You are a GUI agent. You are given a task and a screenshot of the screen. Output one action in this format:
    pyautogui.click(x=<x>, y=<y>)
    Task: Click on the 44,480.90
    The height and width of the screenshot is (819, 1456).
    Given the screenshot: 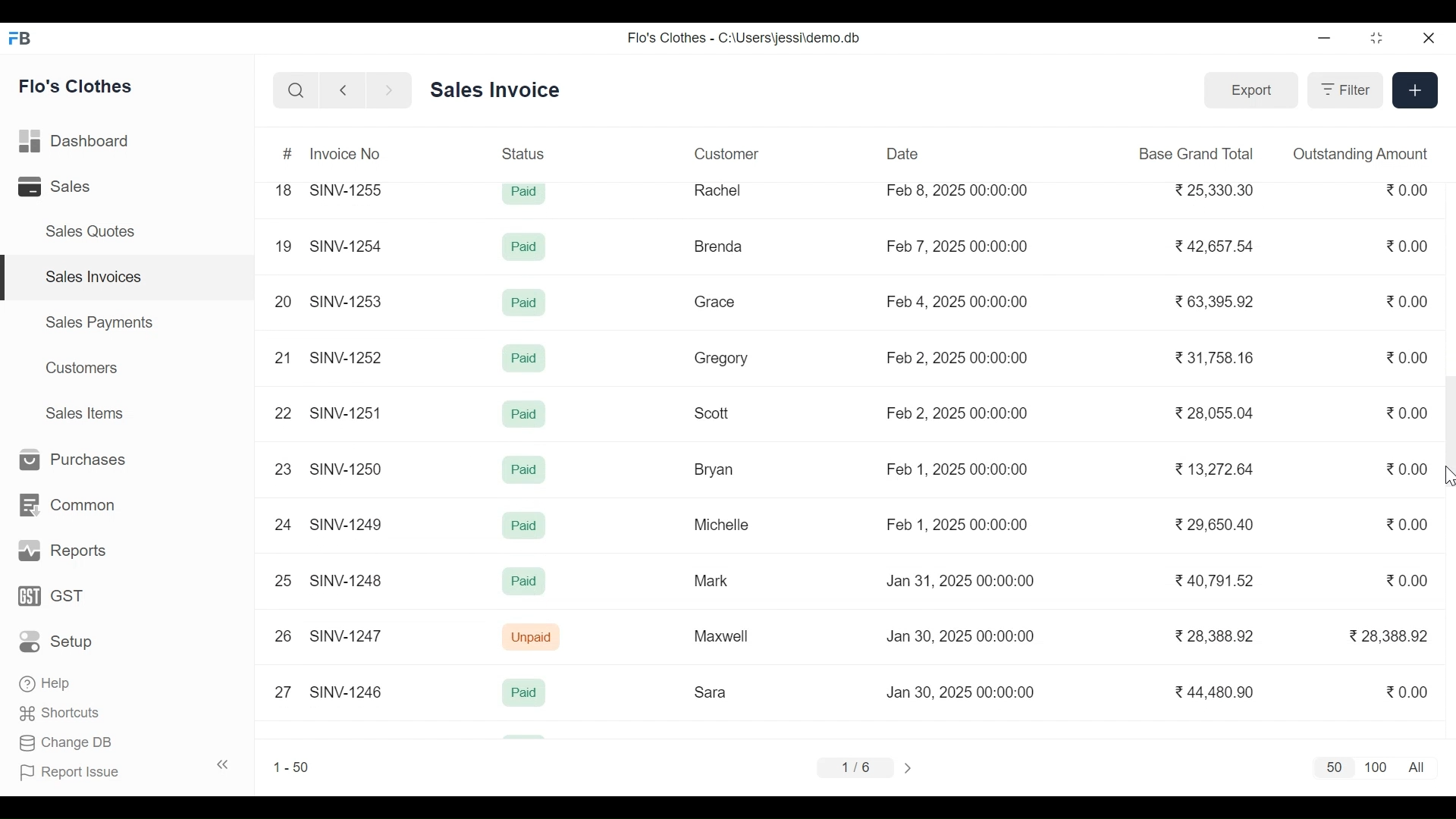 What is the action you would take?
    pyautogui.click(x=1217, y=692)
    